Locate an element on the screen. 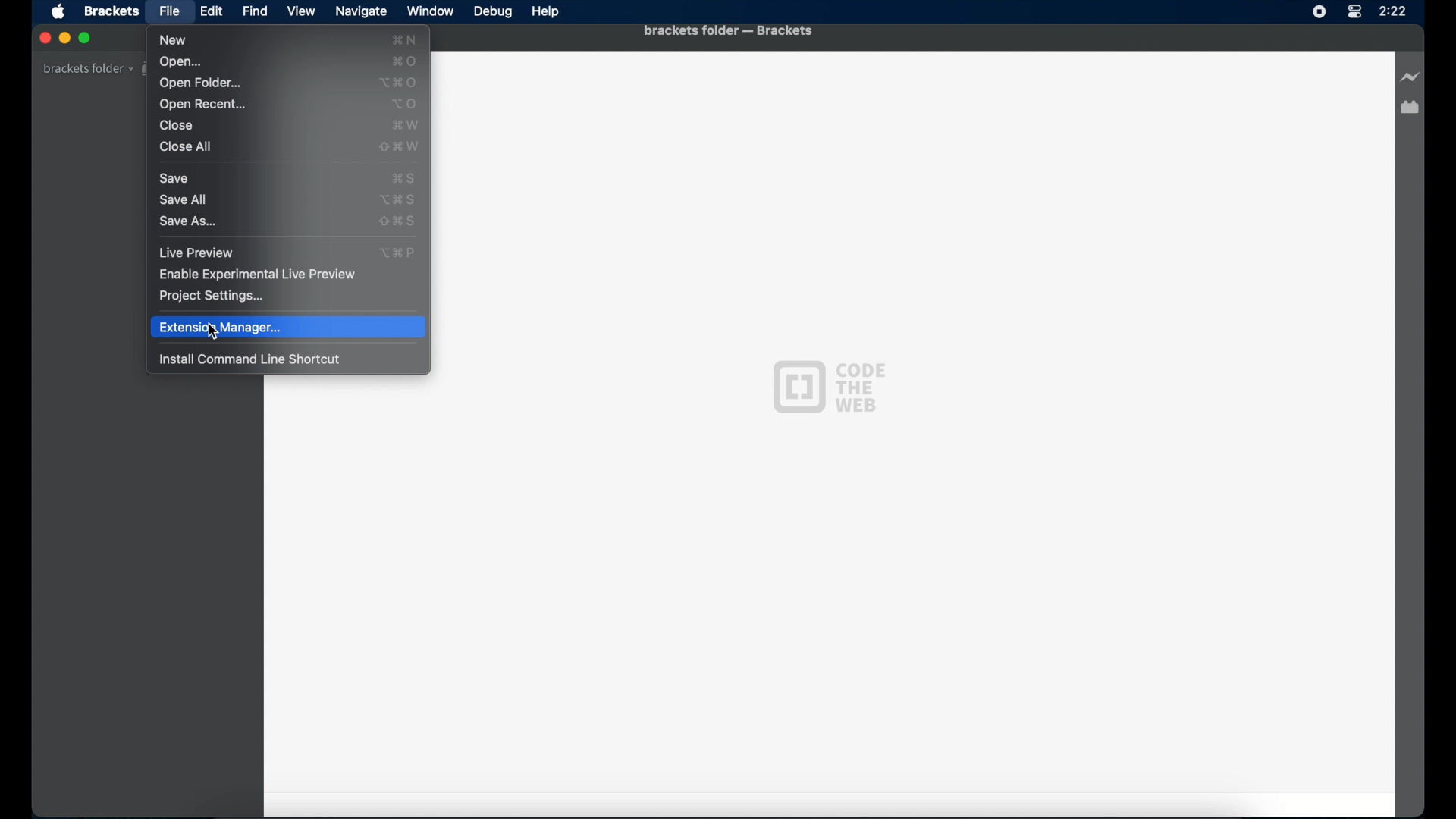 This screenshot has width=1456, height=819. window is located at coordinates (430, 11).